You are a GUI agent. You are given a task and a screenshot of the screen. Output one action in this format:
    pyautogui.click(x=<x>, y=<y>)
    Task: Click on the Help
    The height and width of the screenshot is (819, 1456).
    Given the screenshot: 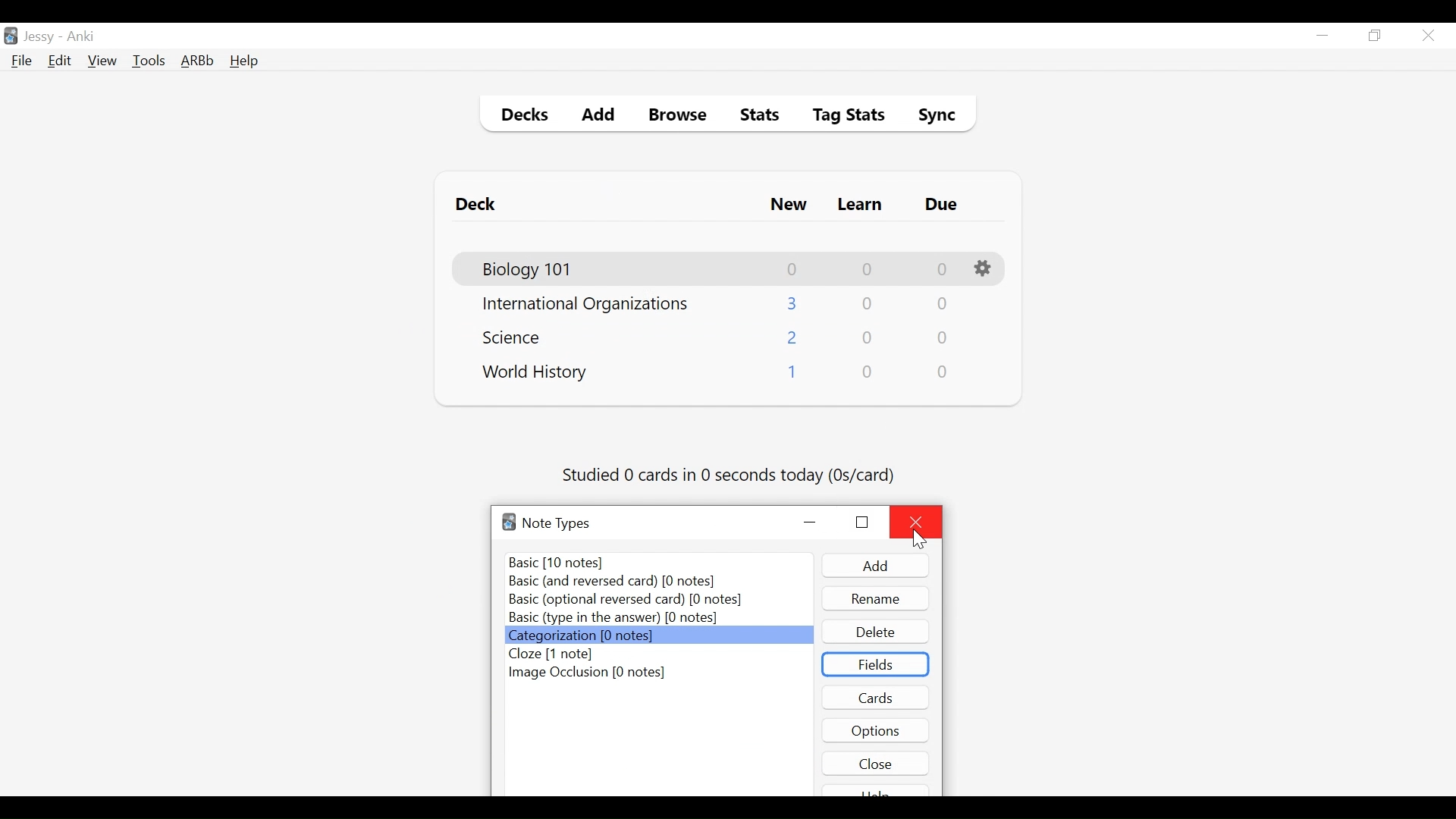 What is the action you would take?
    pyautogui.click(x=243, y=62)
    